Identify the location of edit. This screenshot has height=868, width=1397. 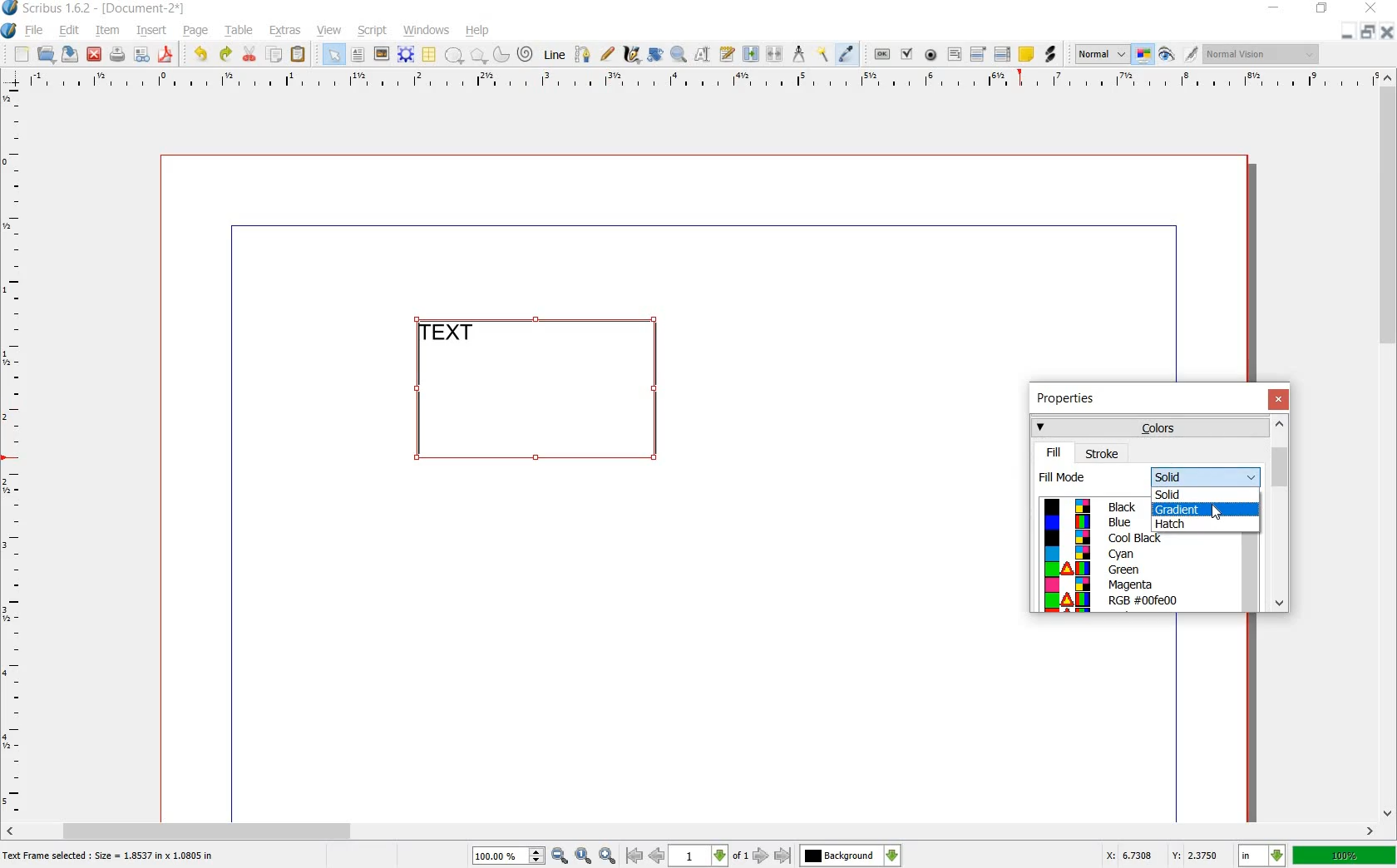
(70, 31).